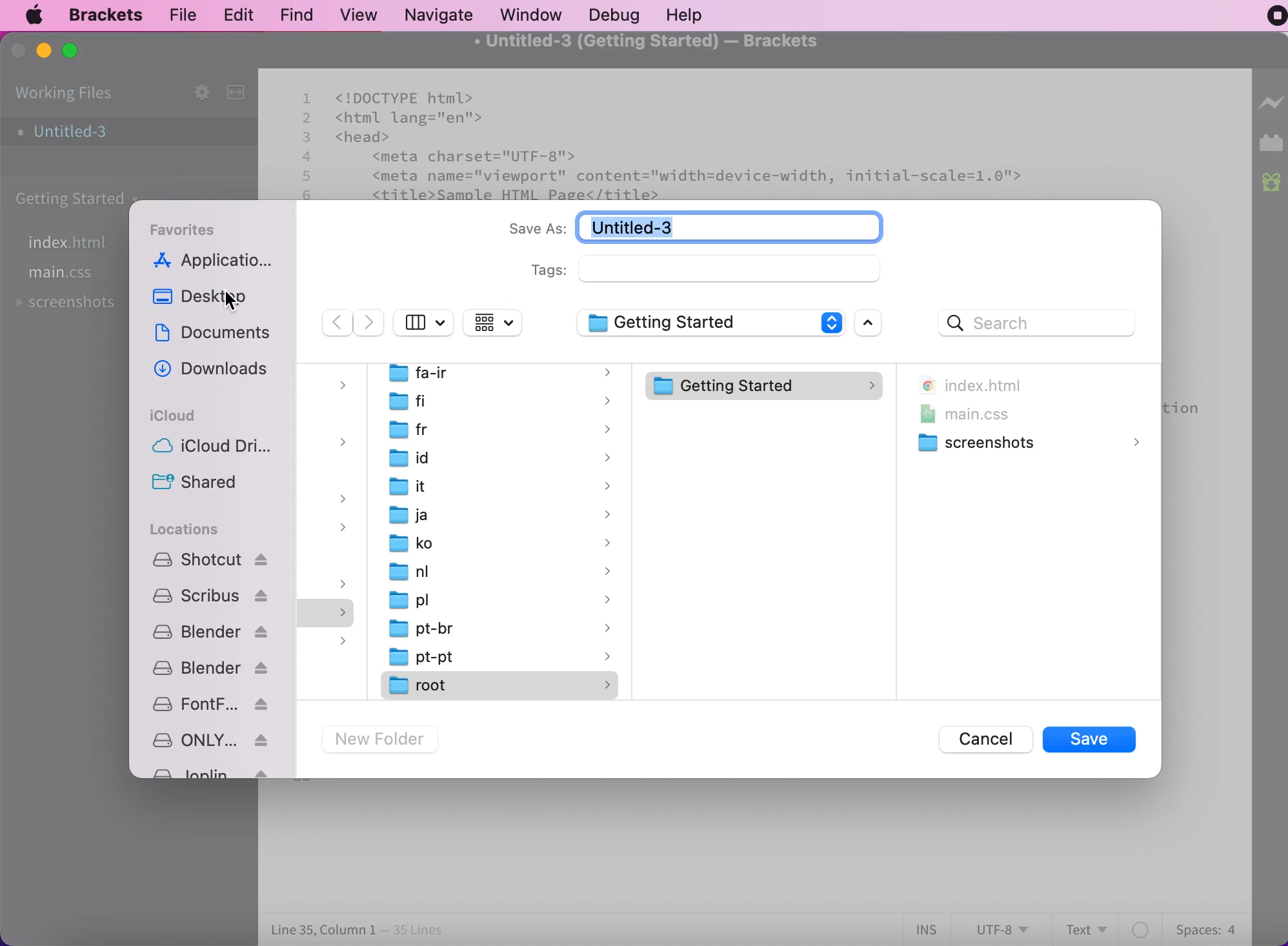 The image size is (1288, 946). Describe the element at coordinates (1269, 180) in the screenshot. I see `new builds of bracket available` at that location.